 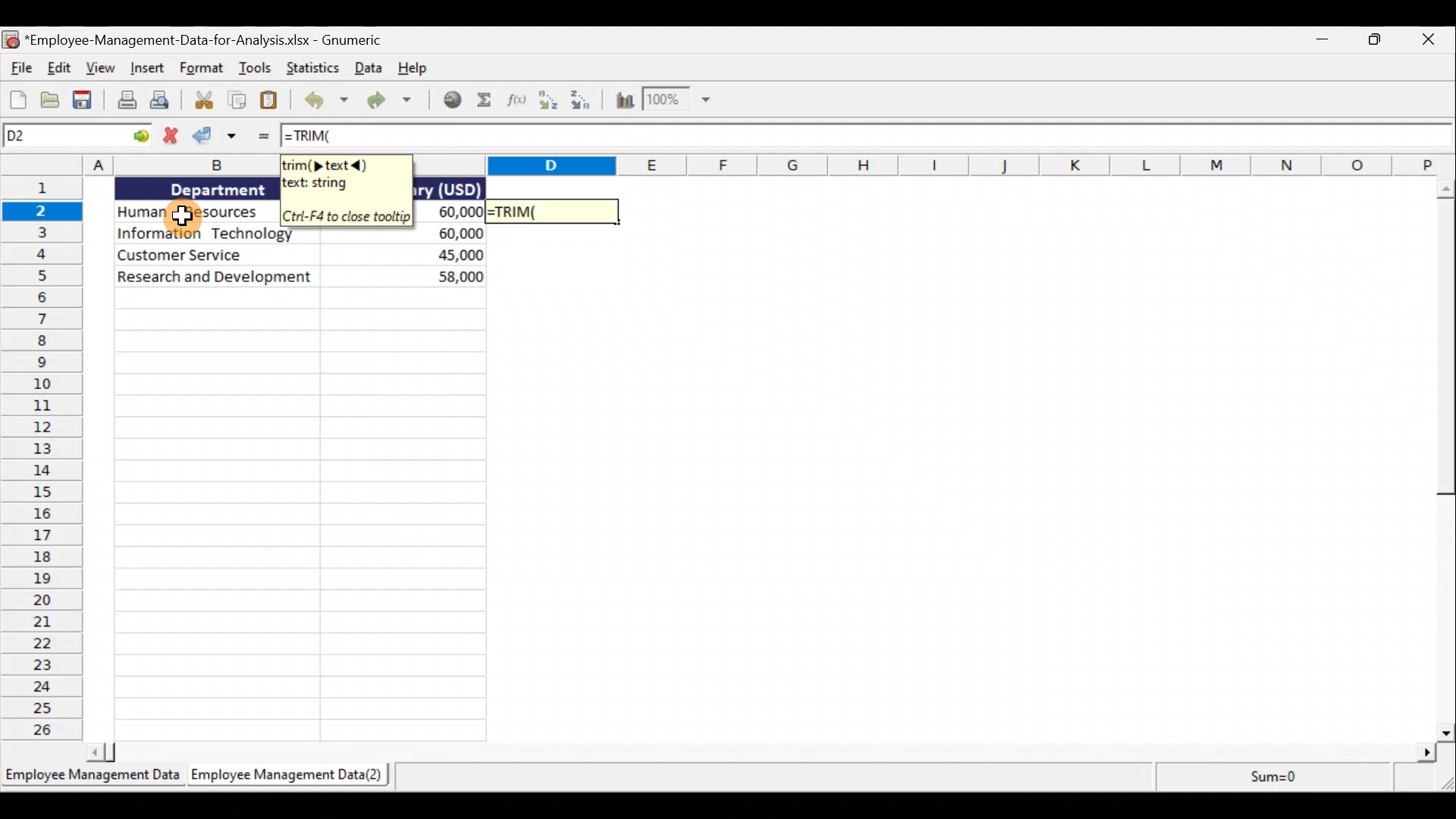 What do you see at coordinates (263, 139) in the screenshot?
I see `Enter Formula` at bounding box center [263, 139].